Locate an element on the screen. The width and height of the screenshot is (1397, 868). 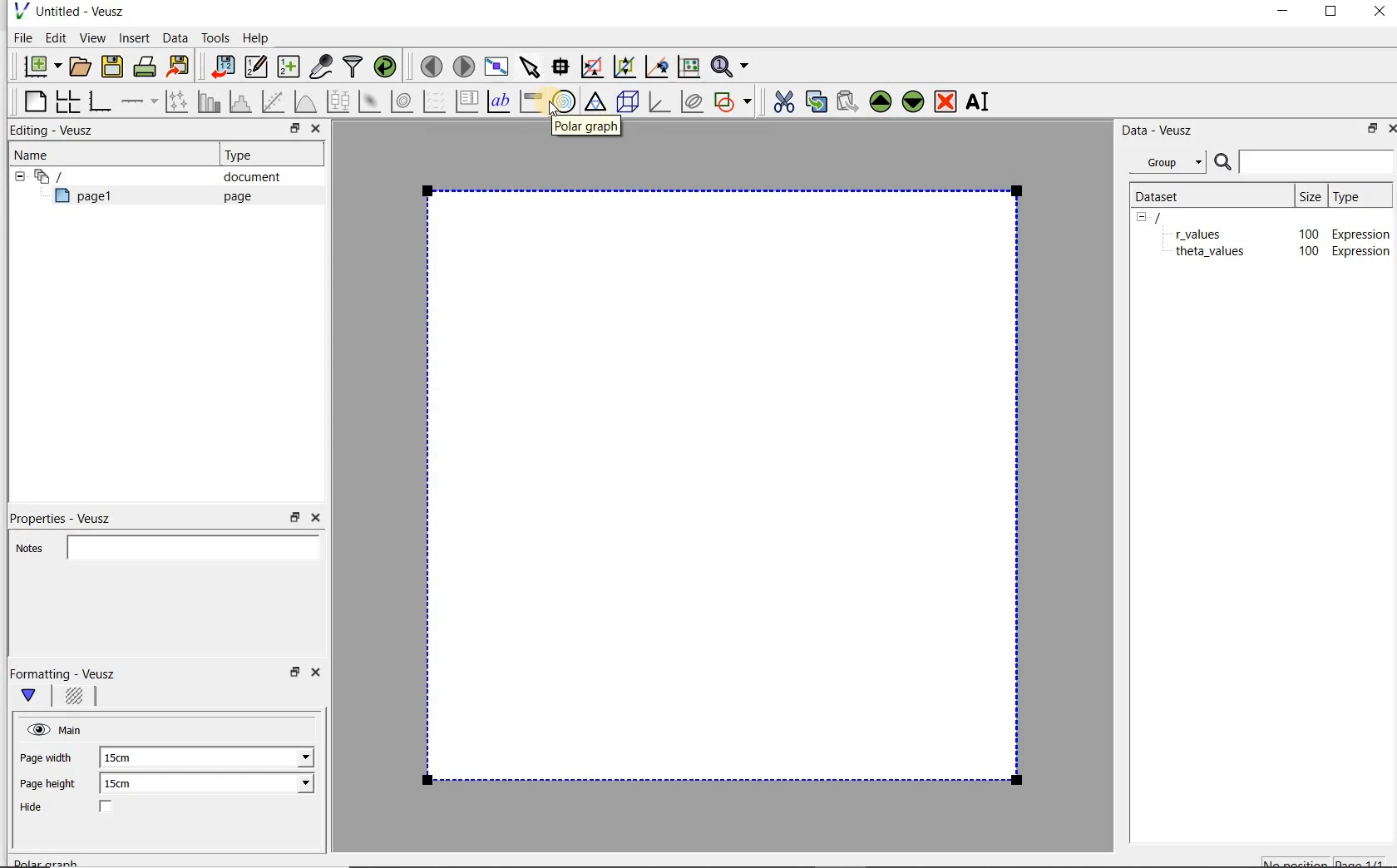
plot a function is located at coordinates (304, 101).